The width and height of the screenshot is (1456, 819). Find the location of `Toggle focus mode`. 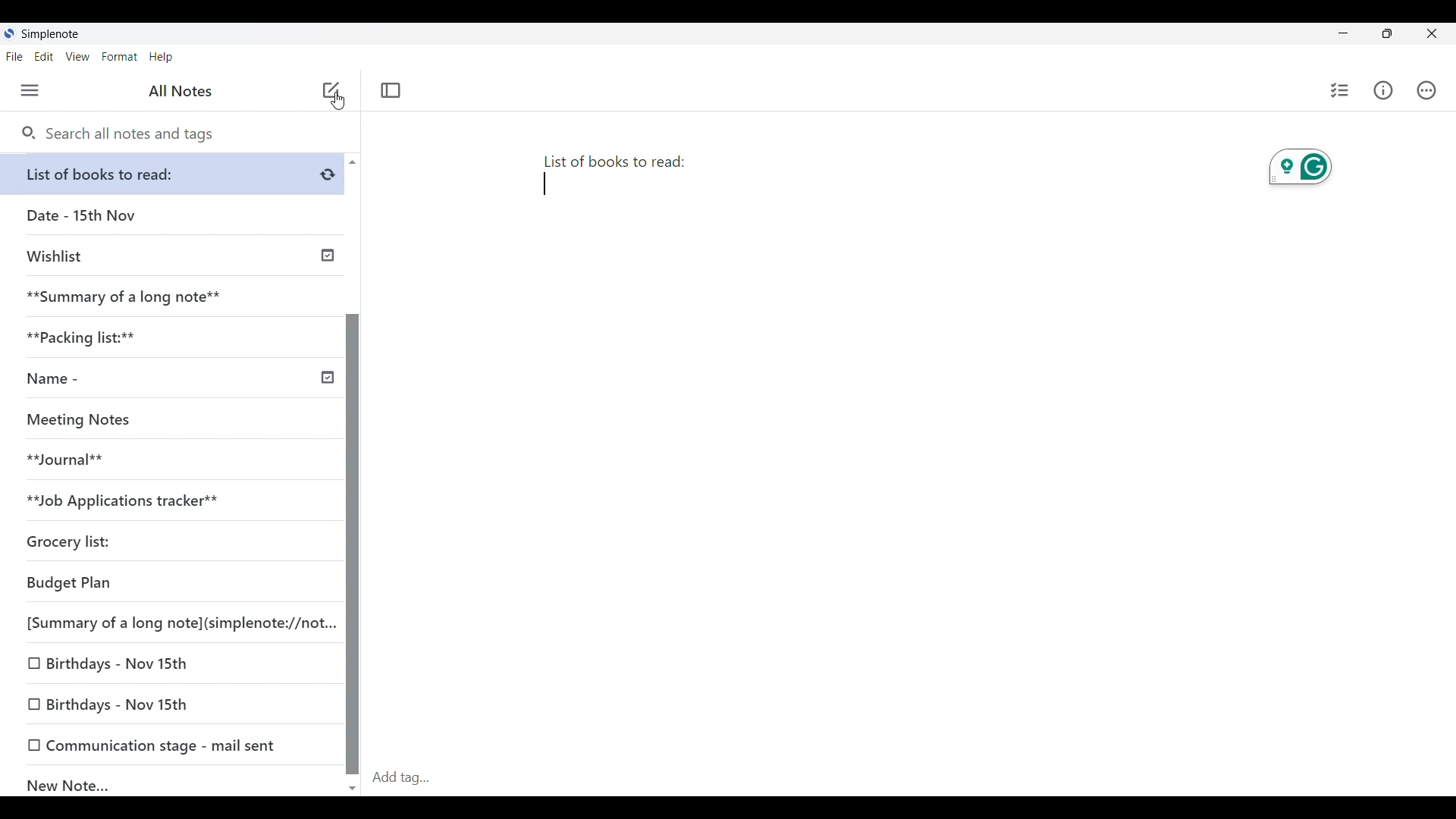

Toggle focus mode is located at coordinates (391, 90).